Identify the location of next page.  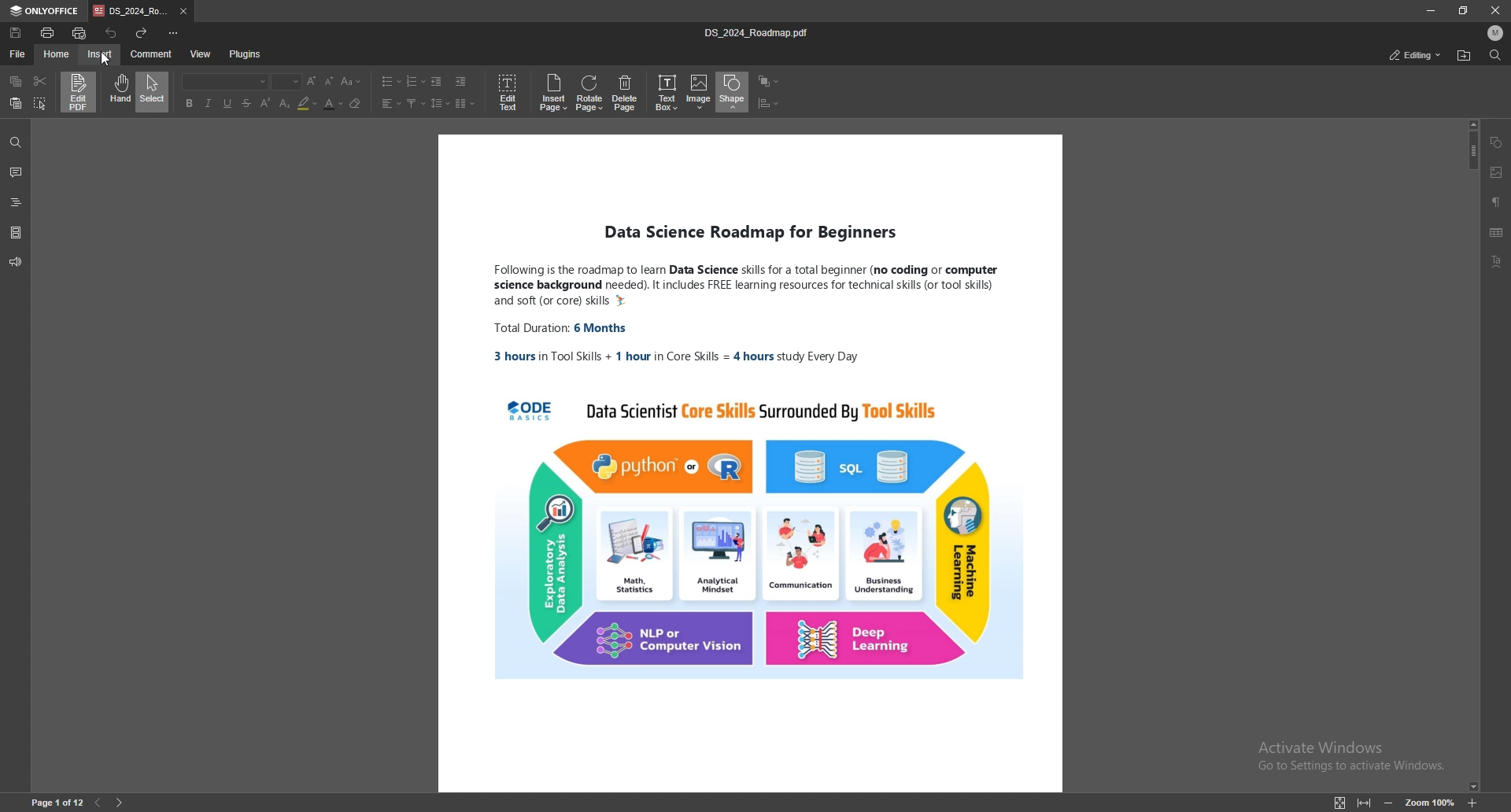
(120, 803).